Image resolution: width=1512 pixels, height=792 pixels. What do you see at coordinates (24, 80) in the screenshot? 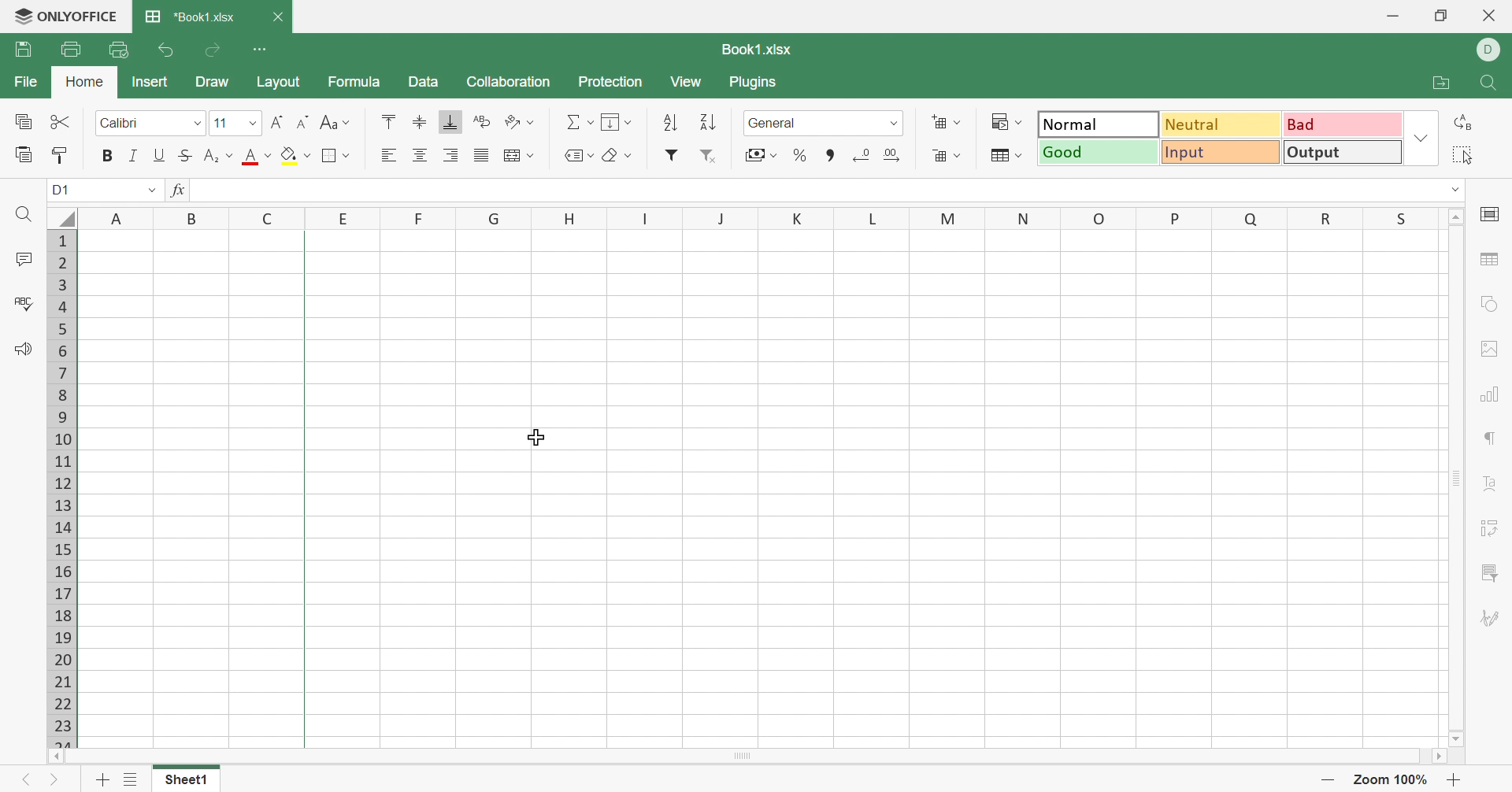
I see `File` at bounding box center [24, 80].